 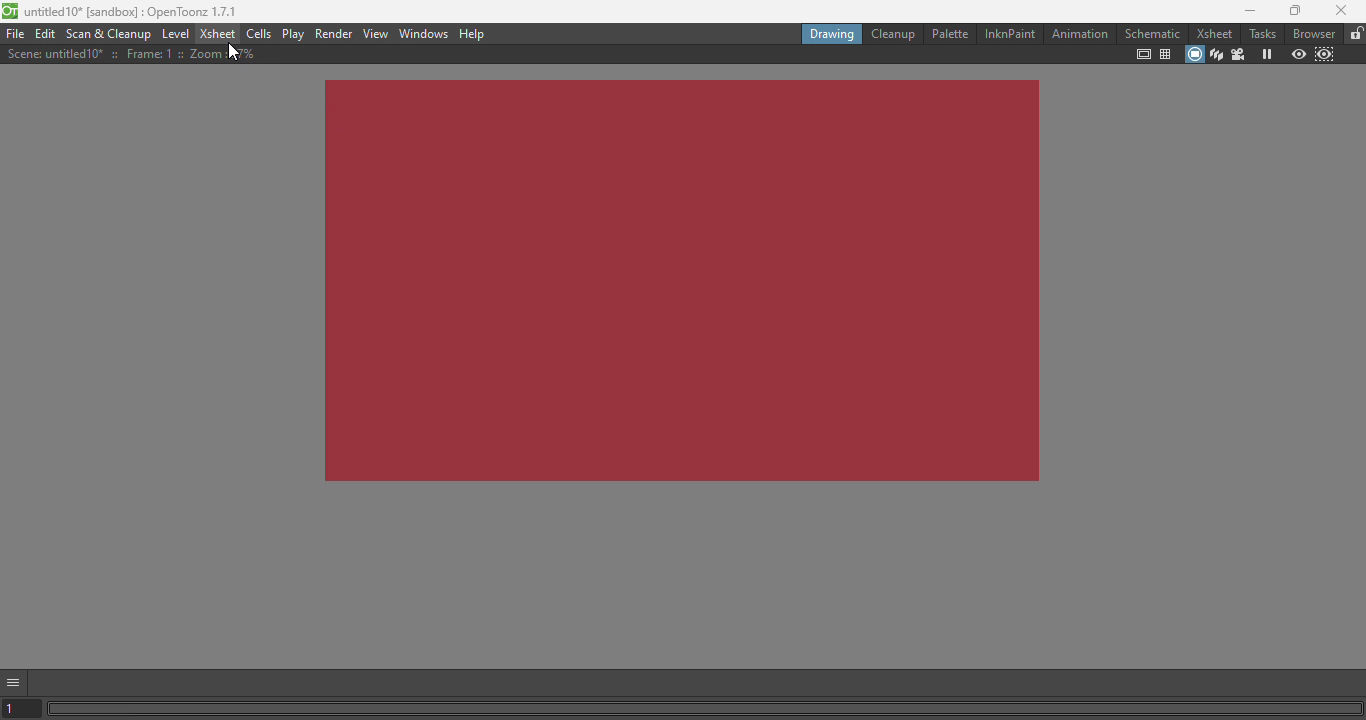 I want to click on cursor, so click(x=232, y=54).